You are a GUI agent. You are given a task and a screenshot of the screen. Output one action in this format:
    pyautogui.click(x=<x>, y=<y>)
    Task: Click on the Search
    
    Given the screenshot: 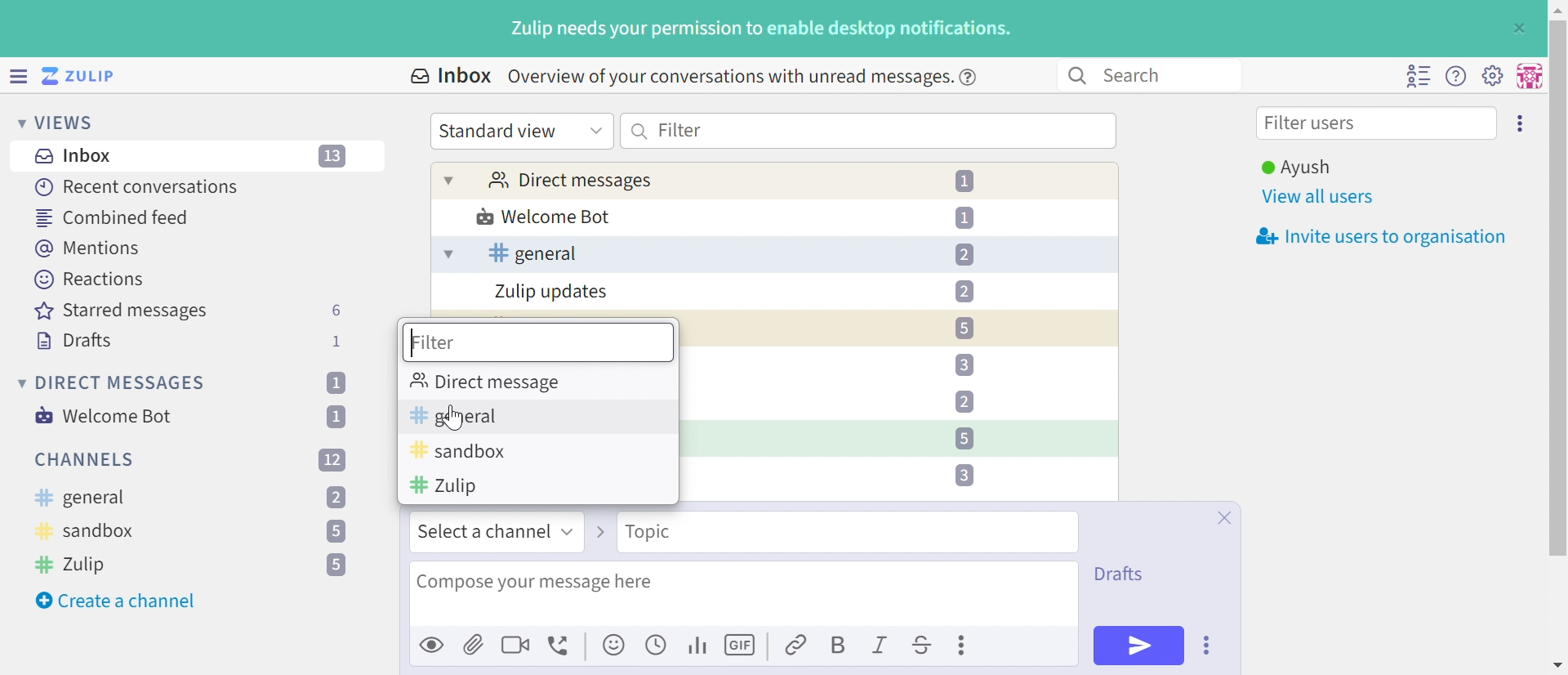 What is the action you would take?
    pyautogui.click(x=640, y=131)
    